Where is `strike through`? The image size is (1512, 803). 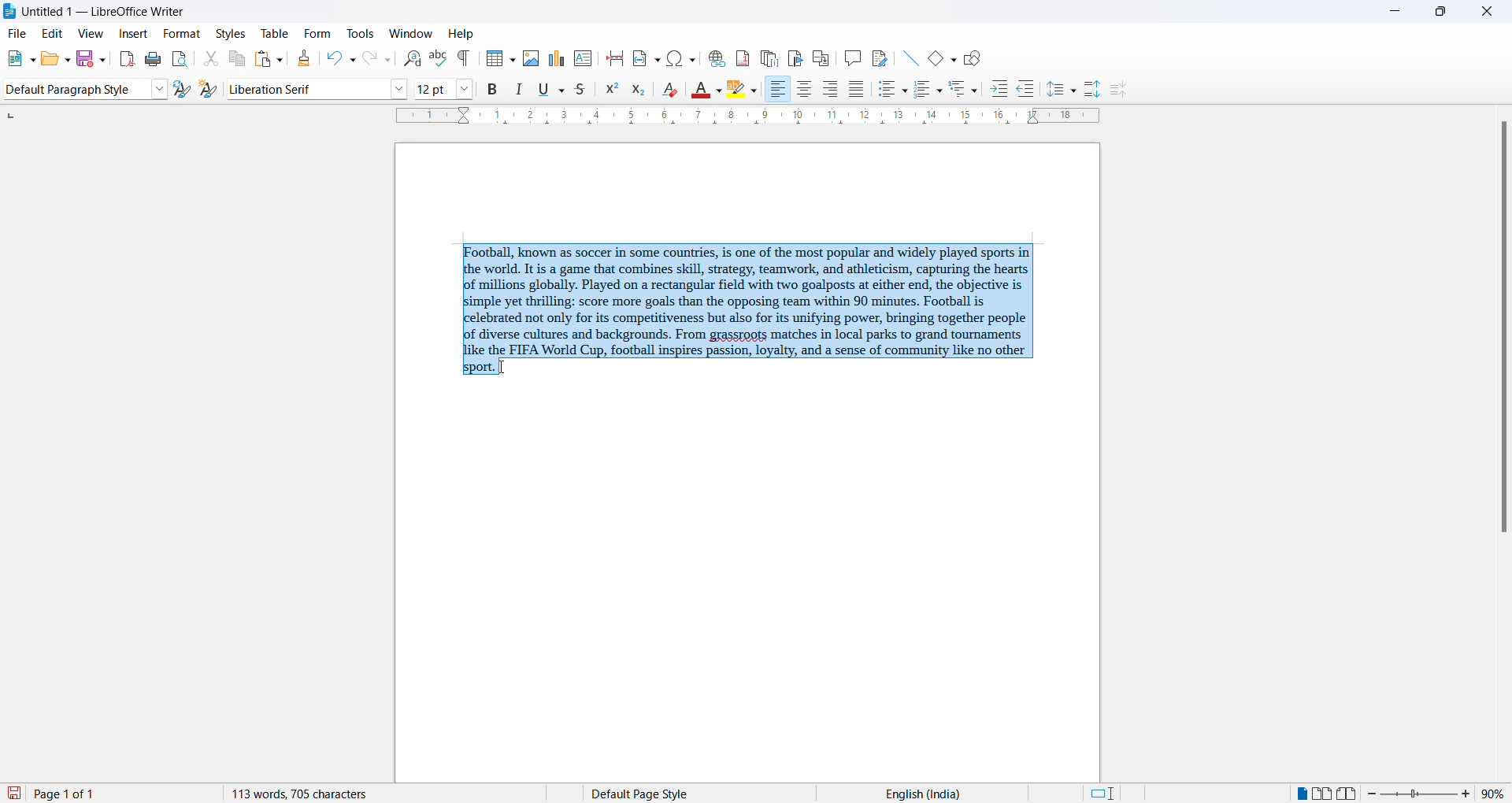 strike through is located at coordinates (584, 88).